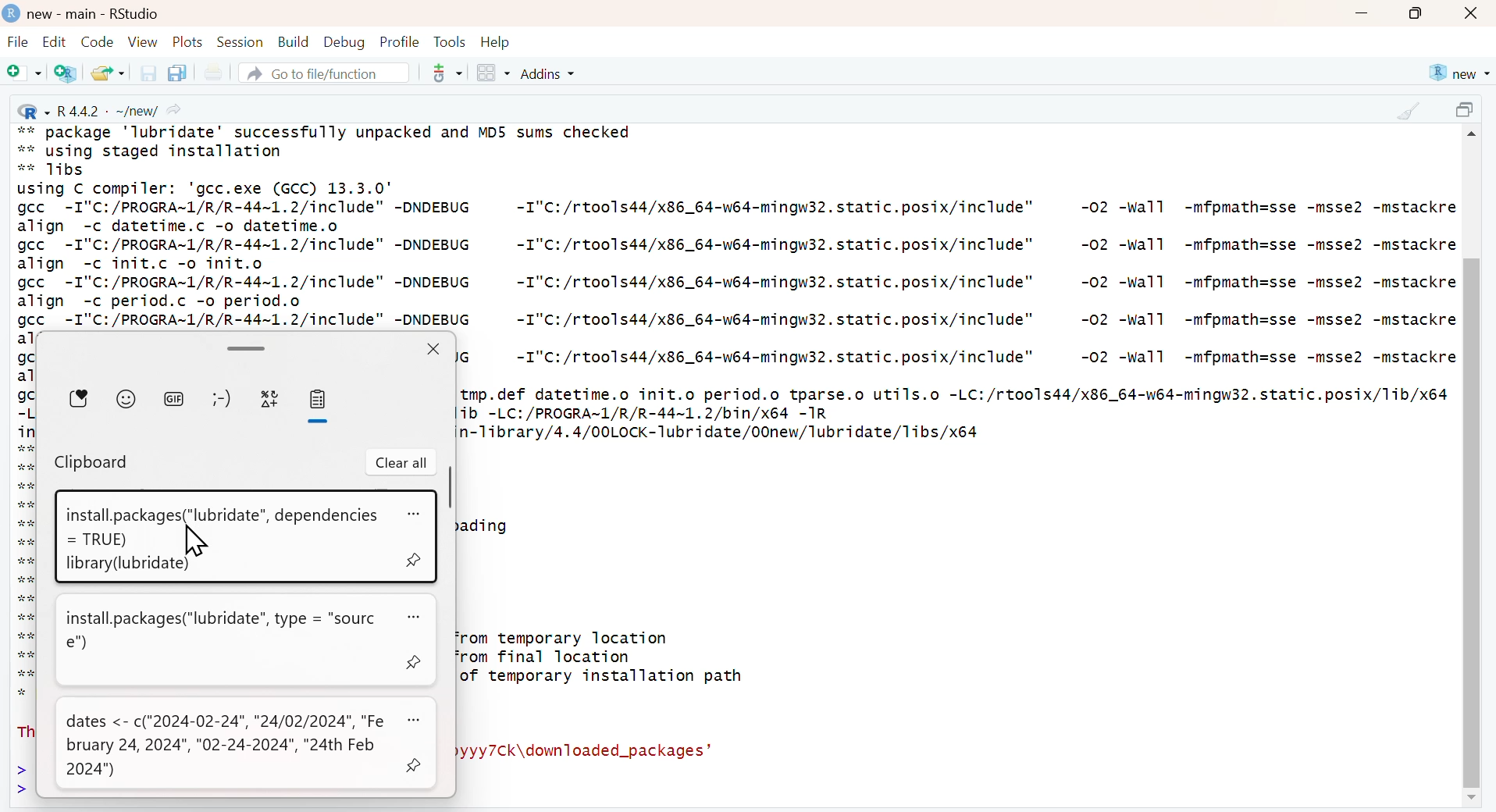 This screenshot has width=1496, height=812. I want to click on ** libs, so click(59, 170).